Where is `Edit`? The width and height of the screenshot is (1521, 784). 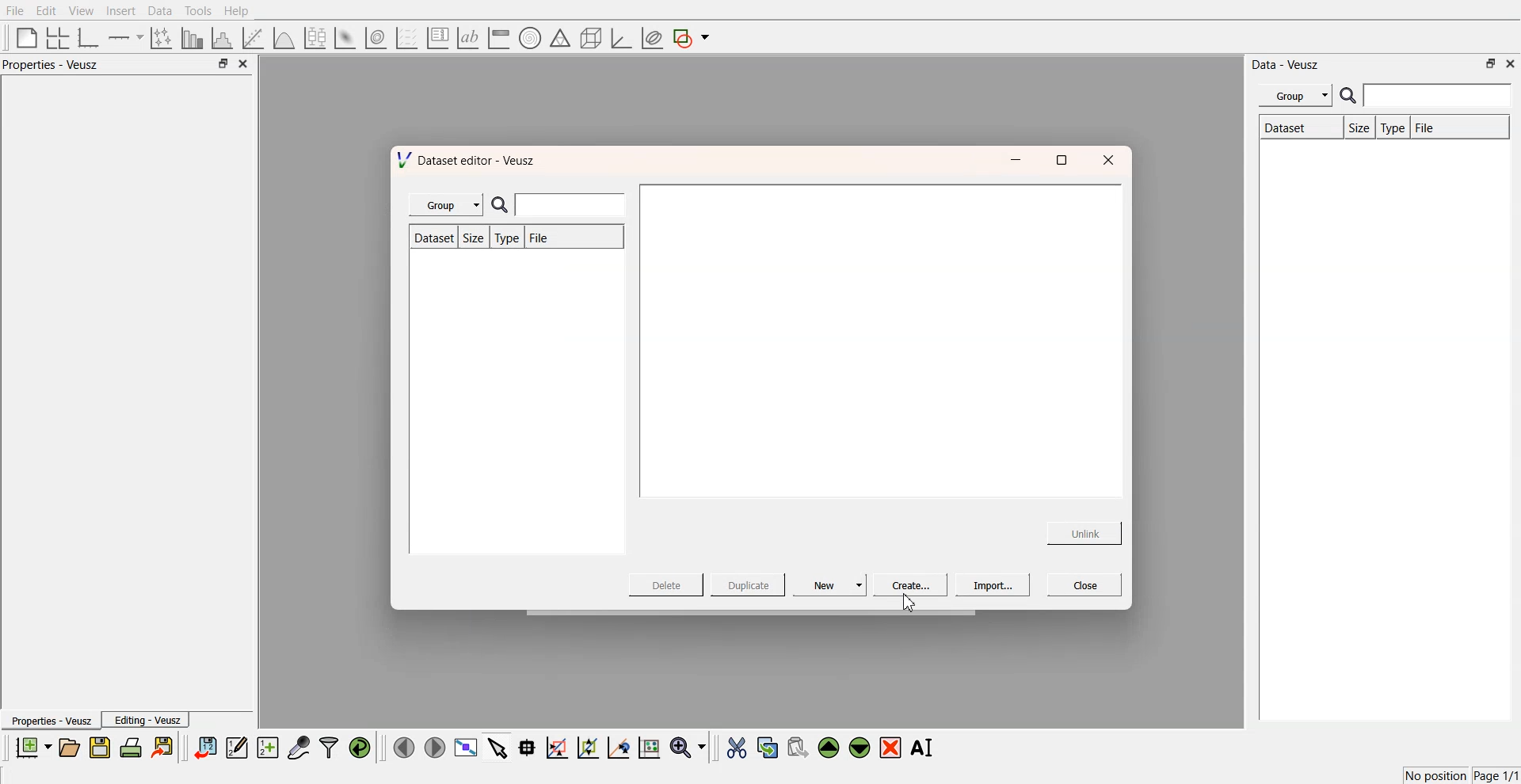 Edit is located at coordinates (47, 10).